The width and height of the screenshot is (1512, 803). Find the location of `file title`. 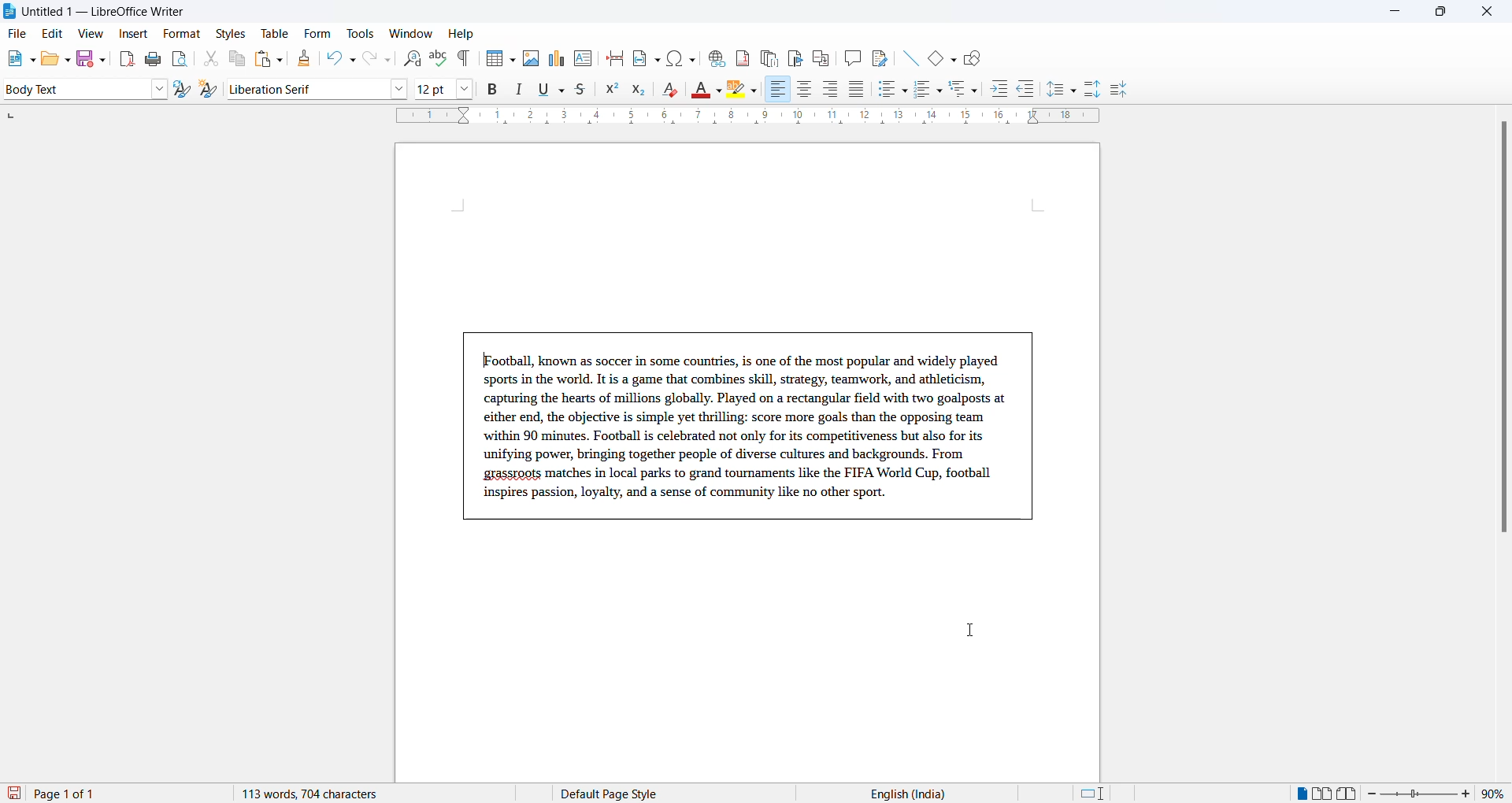

file title is located at coordinates (95, 11).